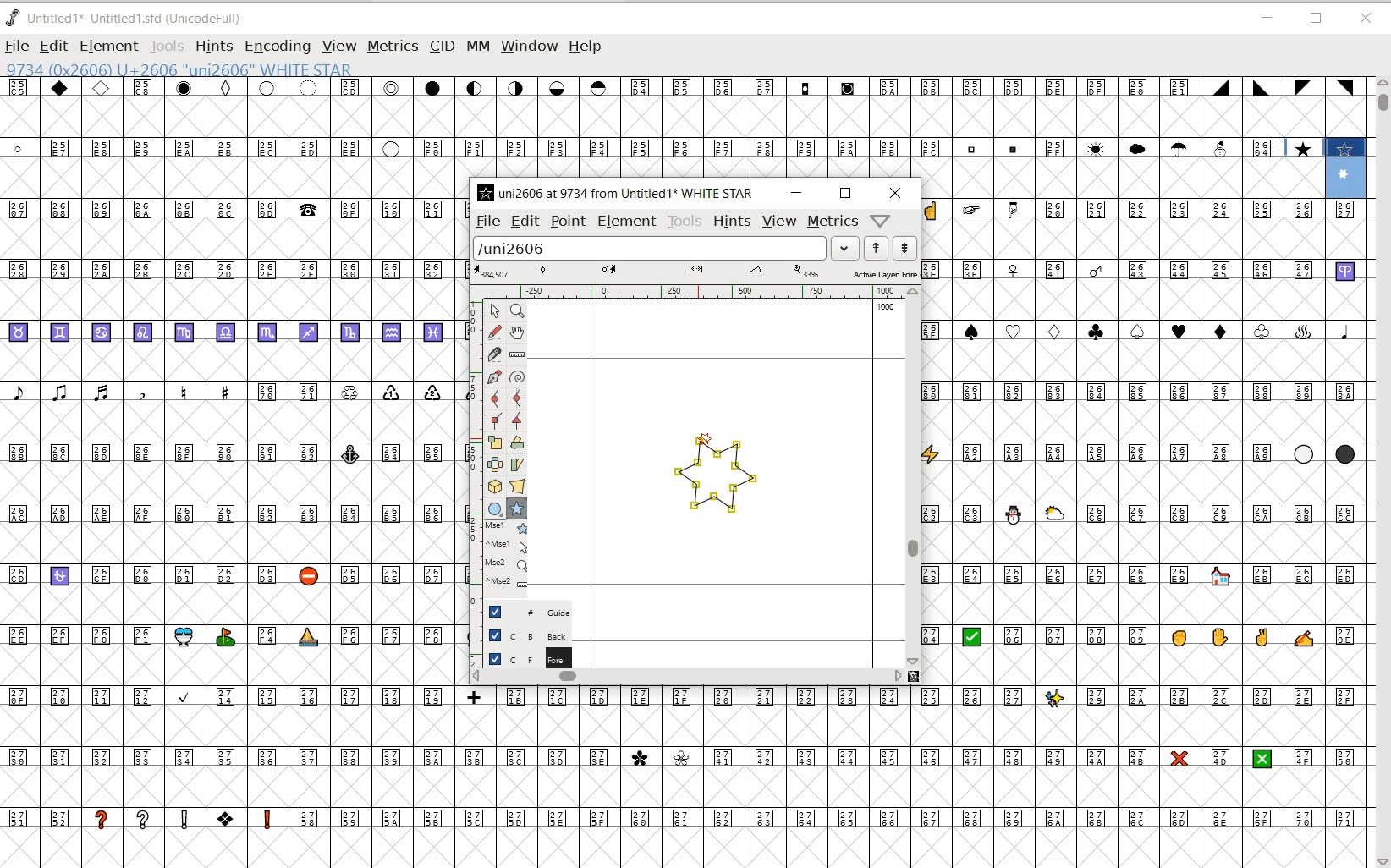 The height and width of the screenshot is (868, 1391). What do you see at coordinates (494, 332) in the screenshot?
I see `DRAW A FREEHAND` at bounding box center [494, 332].